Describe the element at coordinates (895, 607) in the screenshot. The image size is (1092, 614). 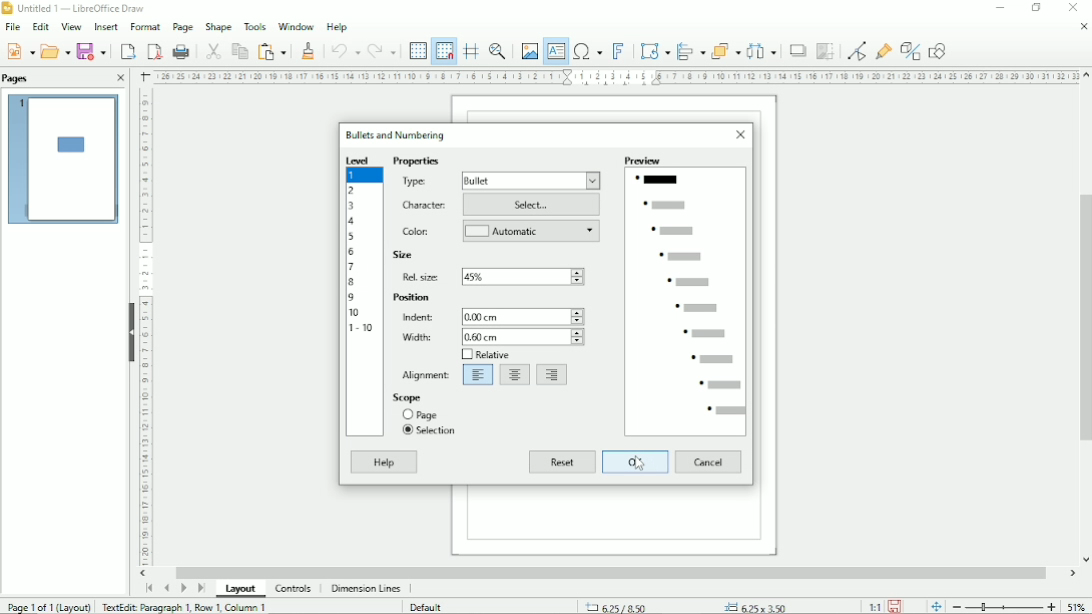
I see `Save` at that location.